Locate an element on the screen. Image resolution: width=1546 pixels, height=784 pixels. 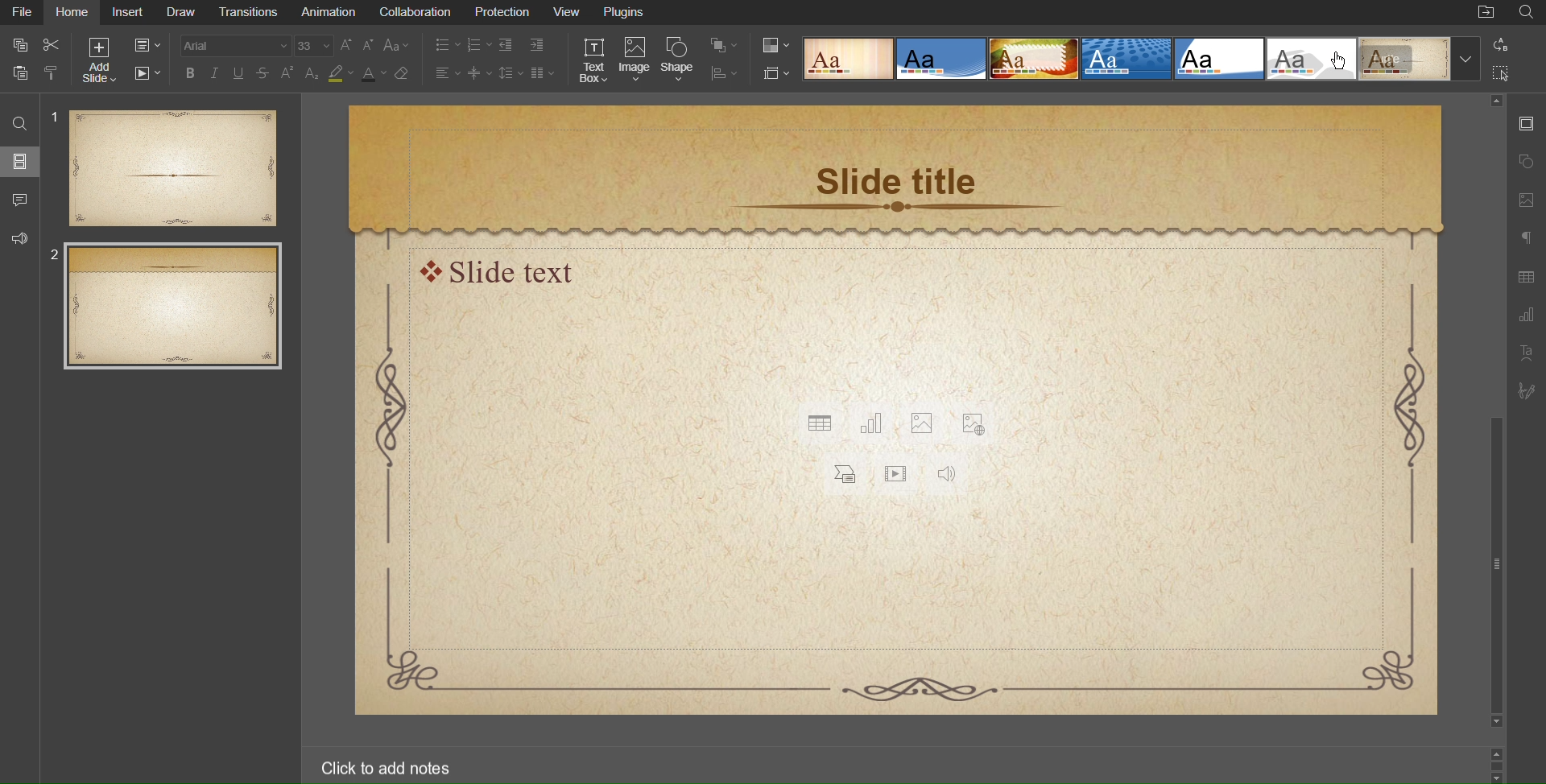
Slides is located at coordinates (19, 161).